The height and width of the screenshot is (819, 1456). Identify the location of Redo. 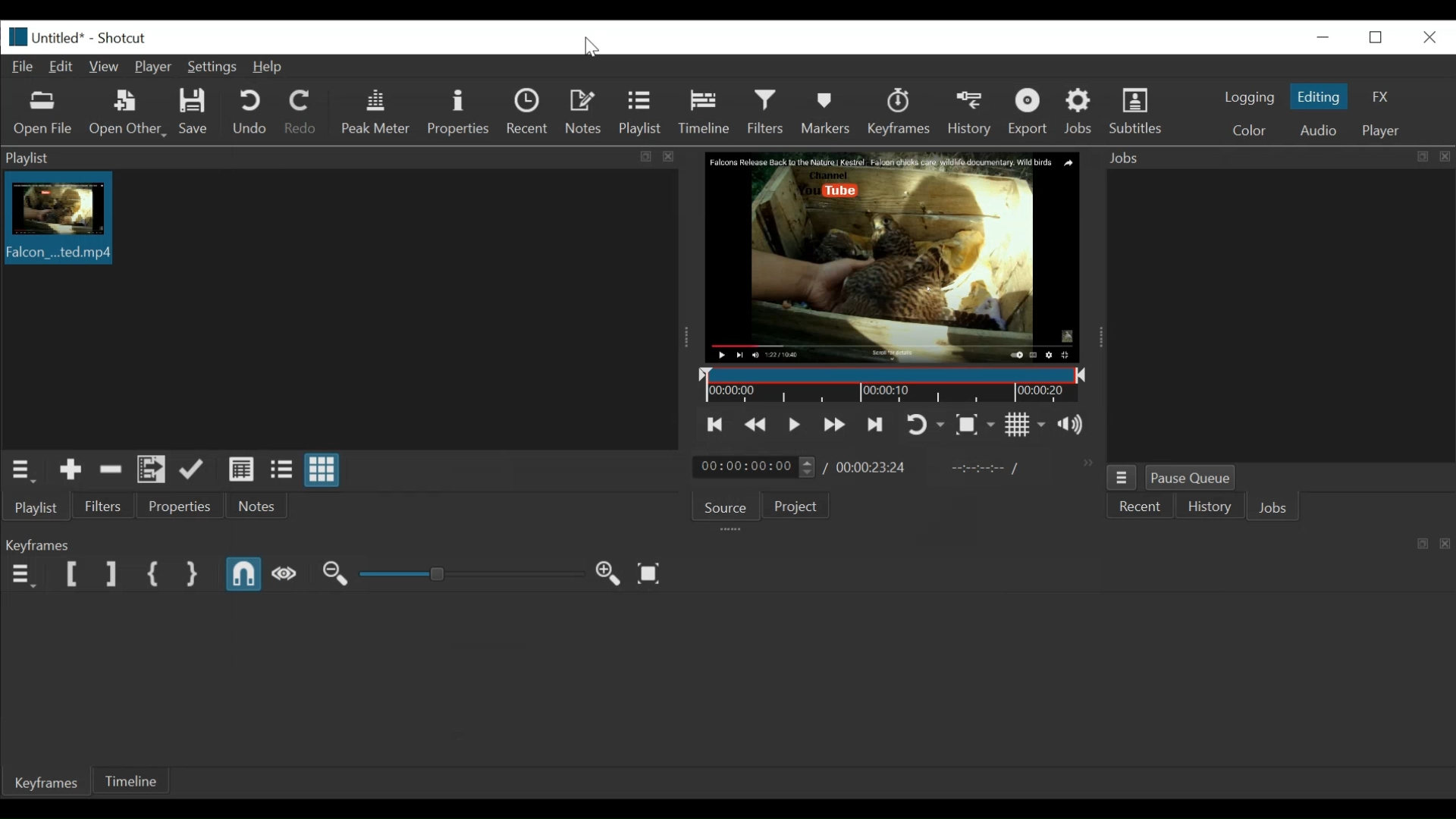
(300, 111).